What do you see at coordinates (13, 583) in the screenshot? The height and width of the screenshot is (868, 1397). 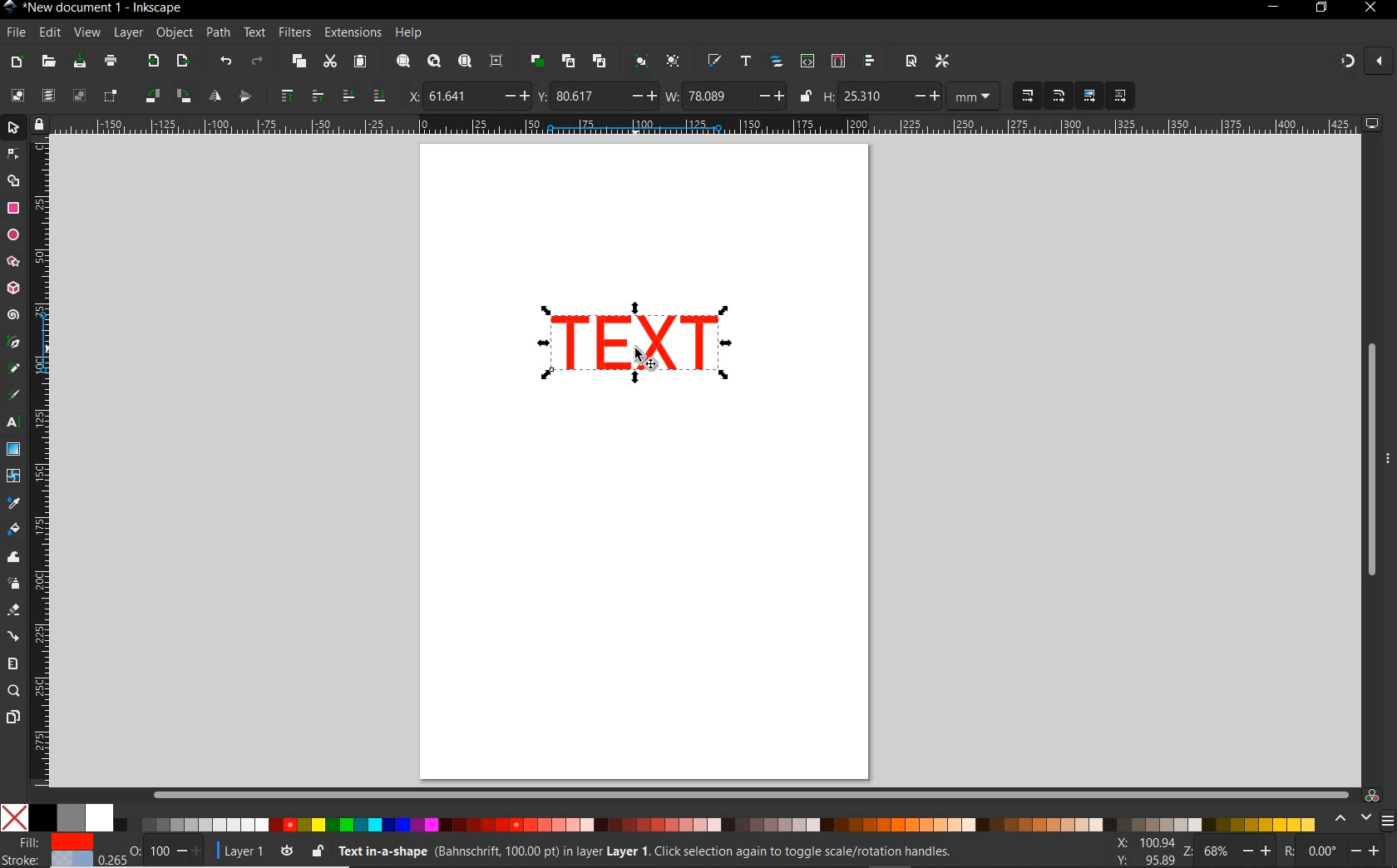 I see `spray tool` at bounding box center [13, 583].